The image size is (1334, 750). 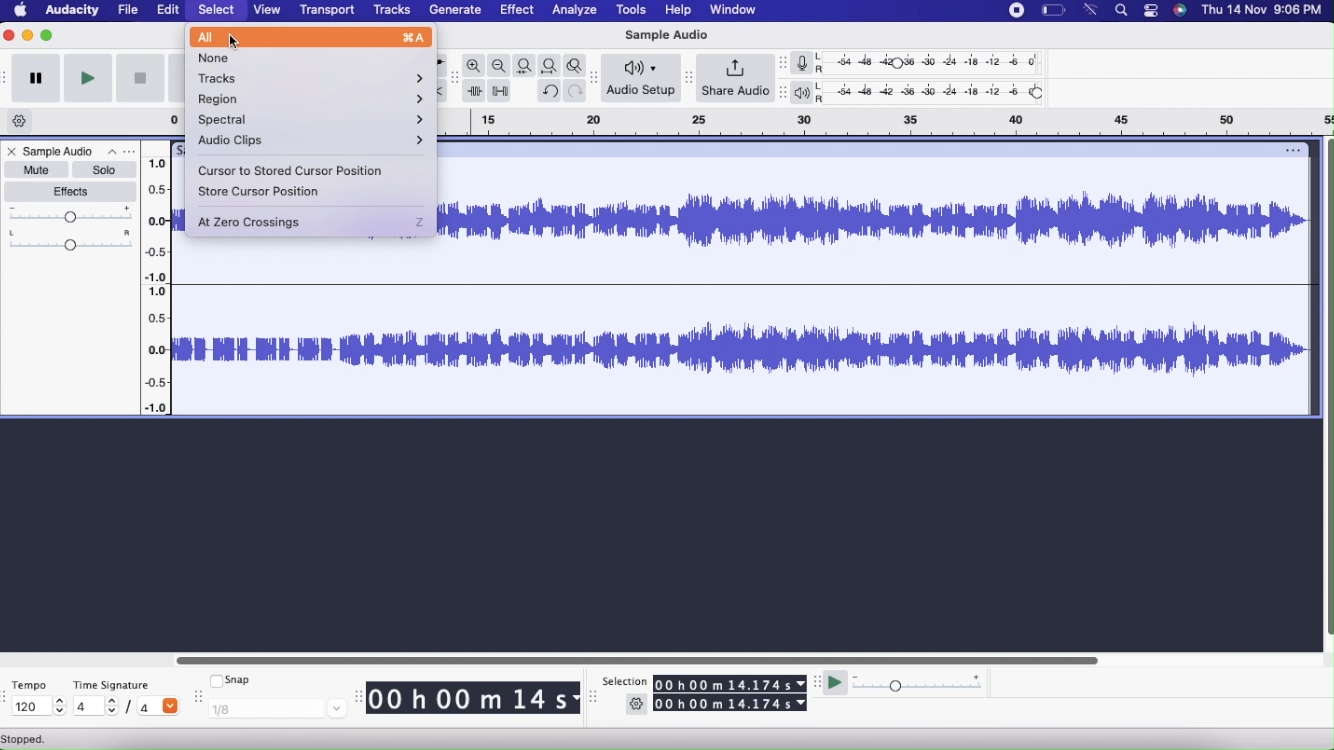 I want to click on Settings, so click(x=637, y=706).